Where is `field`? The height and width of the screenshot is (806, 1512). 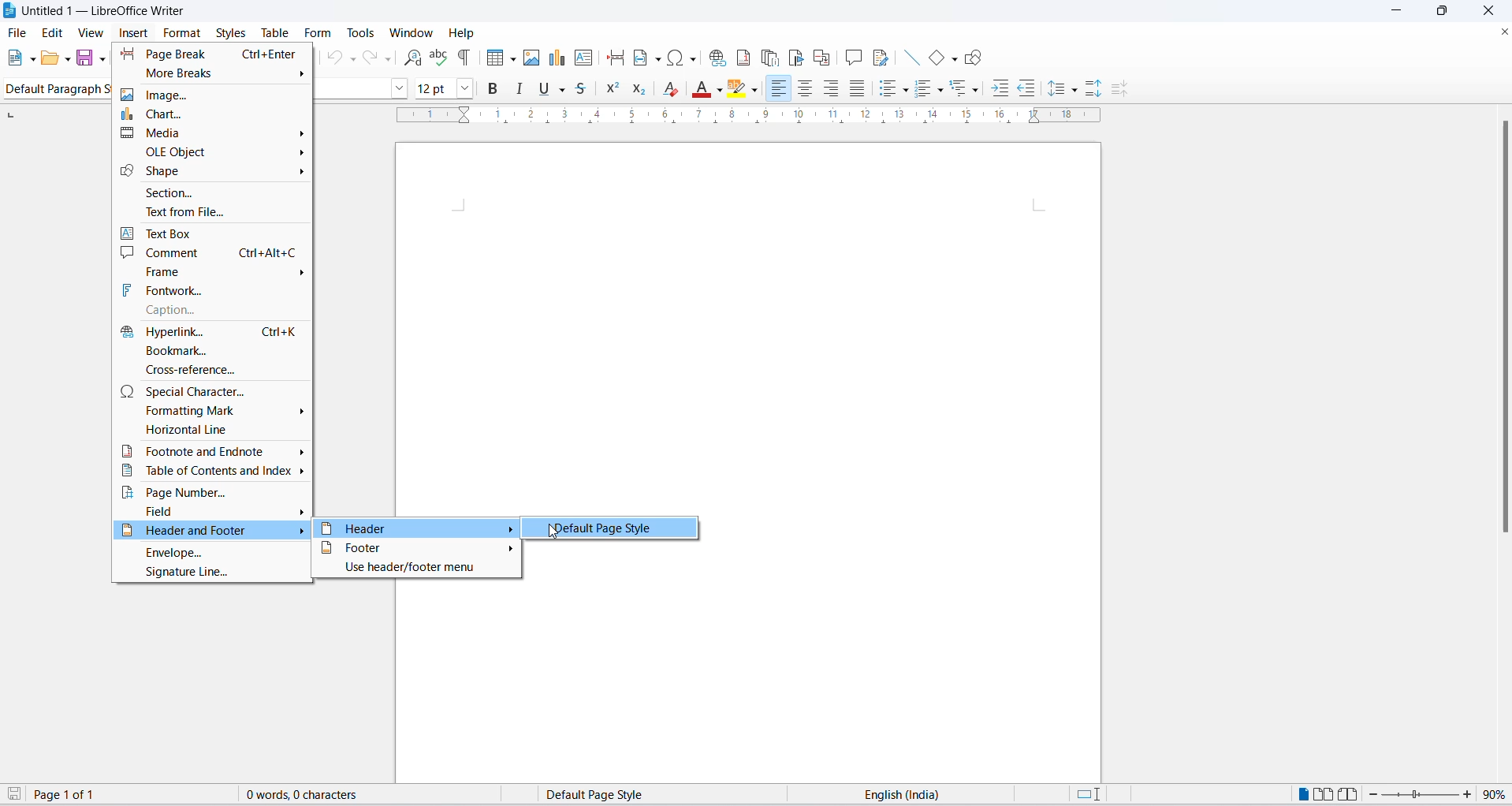 field is located at coordinates (214, 512).